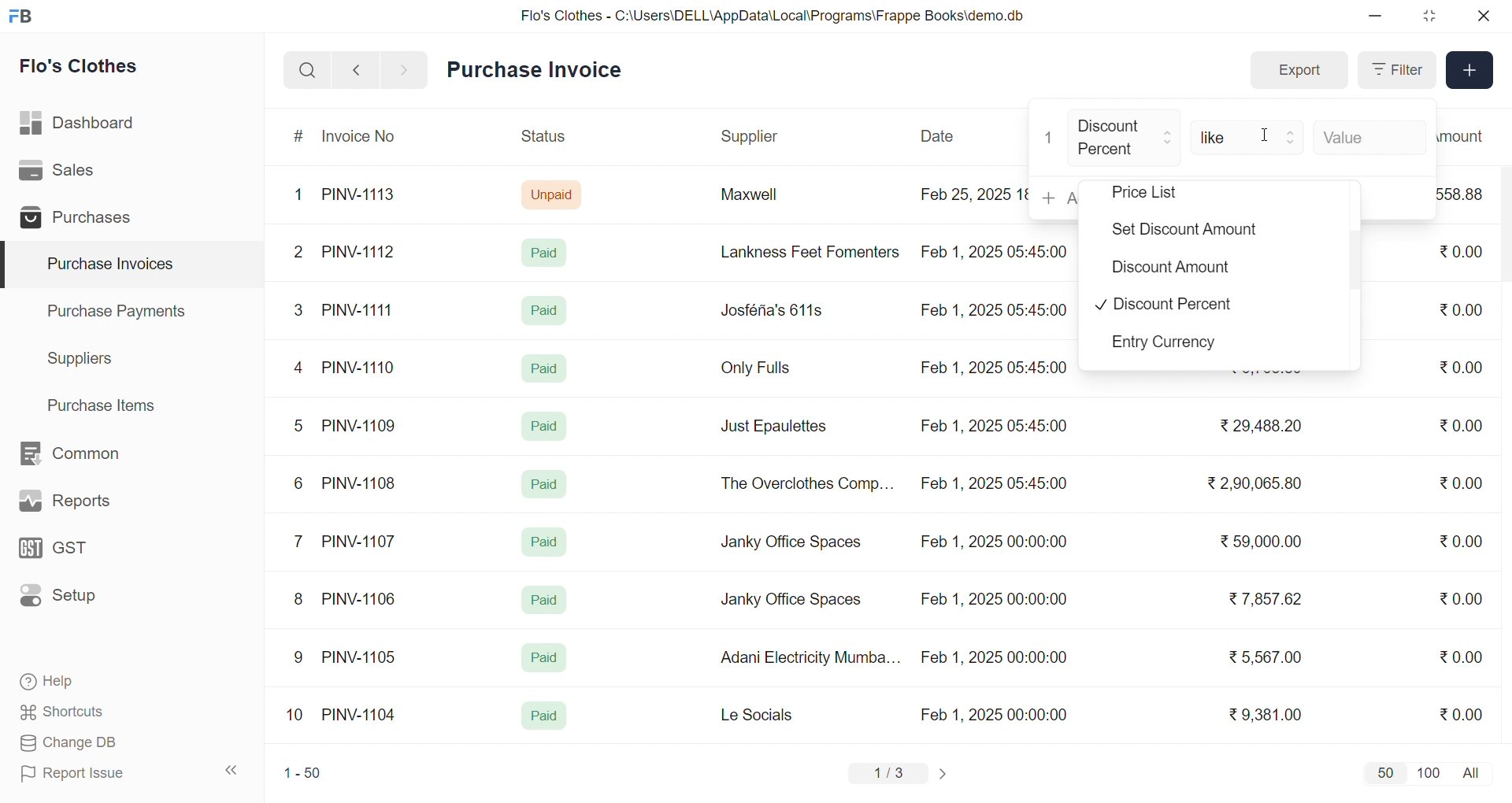  I want to click on collapse sidebar, so click(232, 771).